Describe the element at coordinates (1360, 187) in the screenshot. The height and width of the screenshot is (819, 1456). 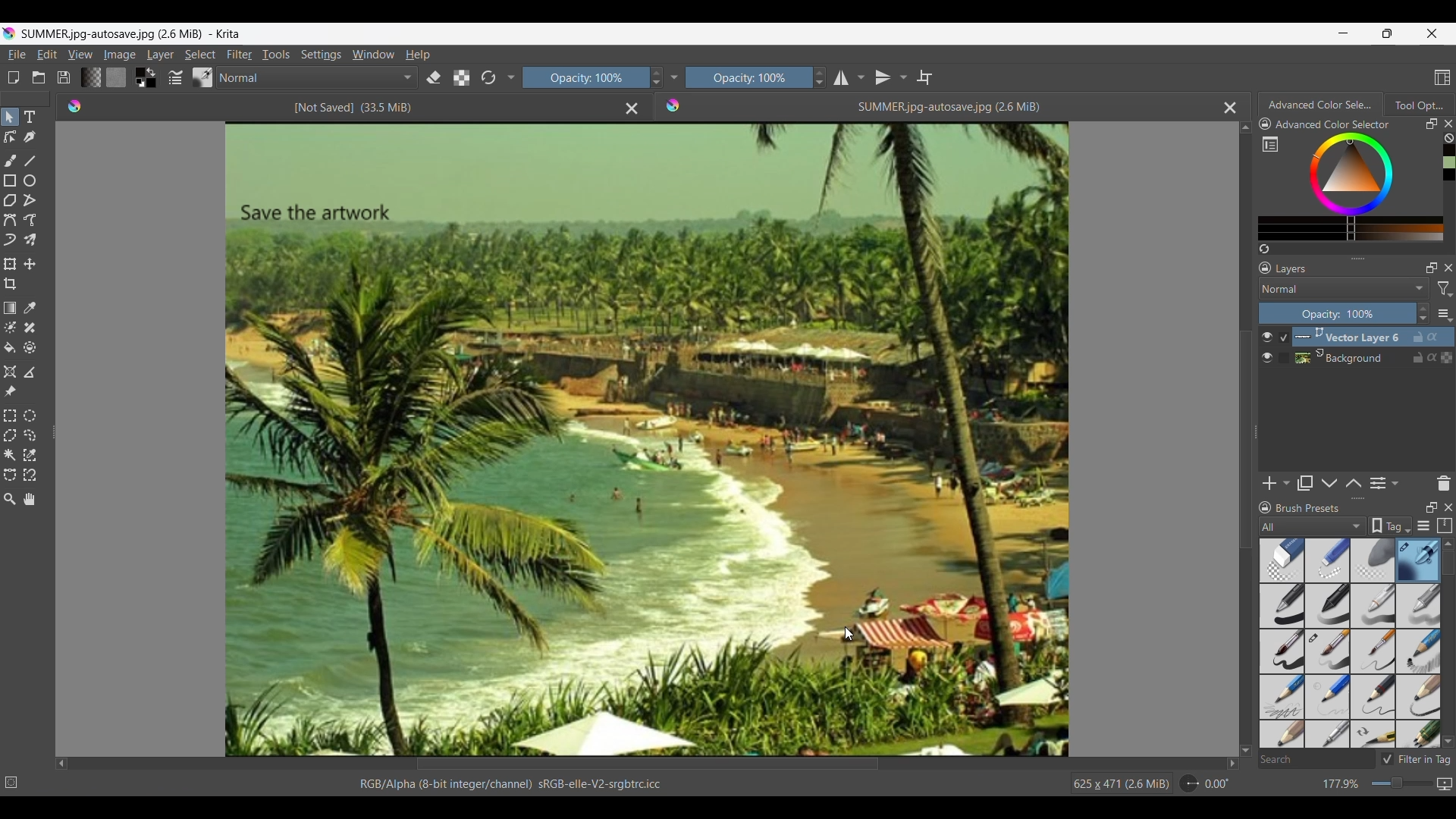
I see `Color range for selection` at that location.